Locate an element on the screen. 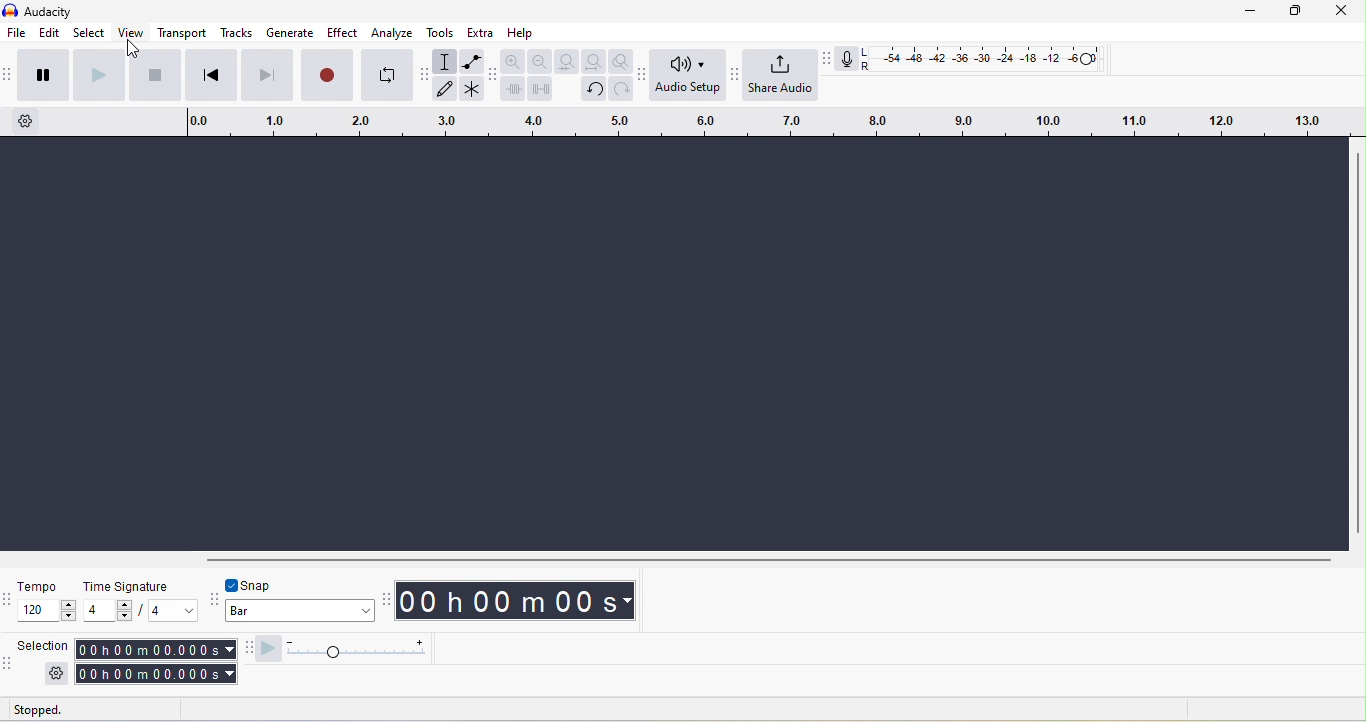  skip to end is located at coordinates (267, 76).